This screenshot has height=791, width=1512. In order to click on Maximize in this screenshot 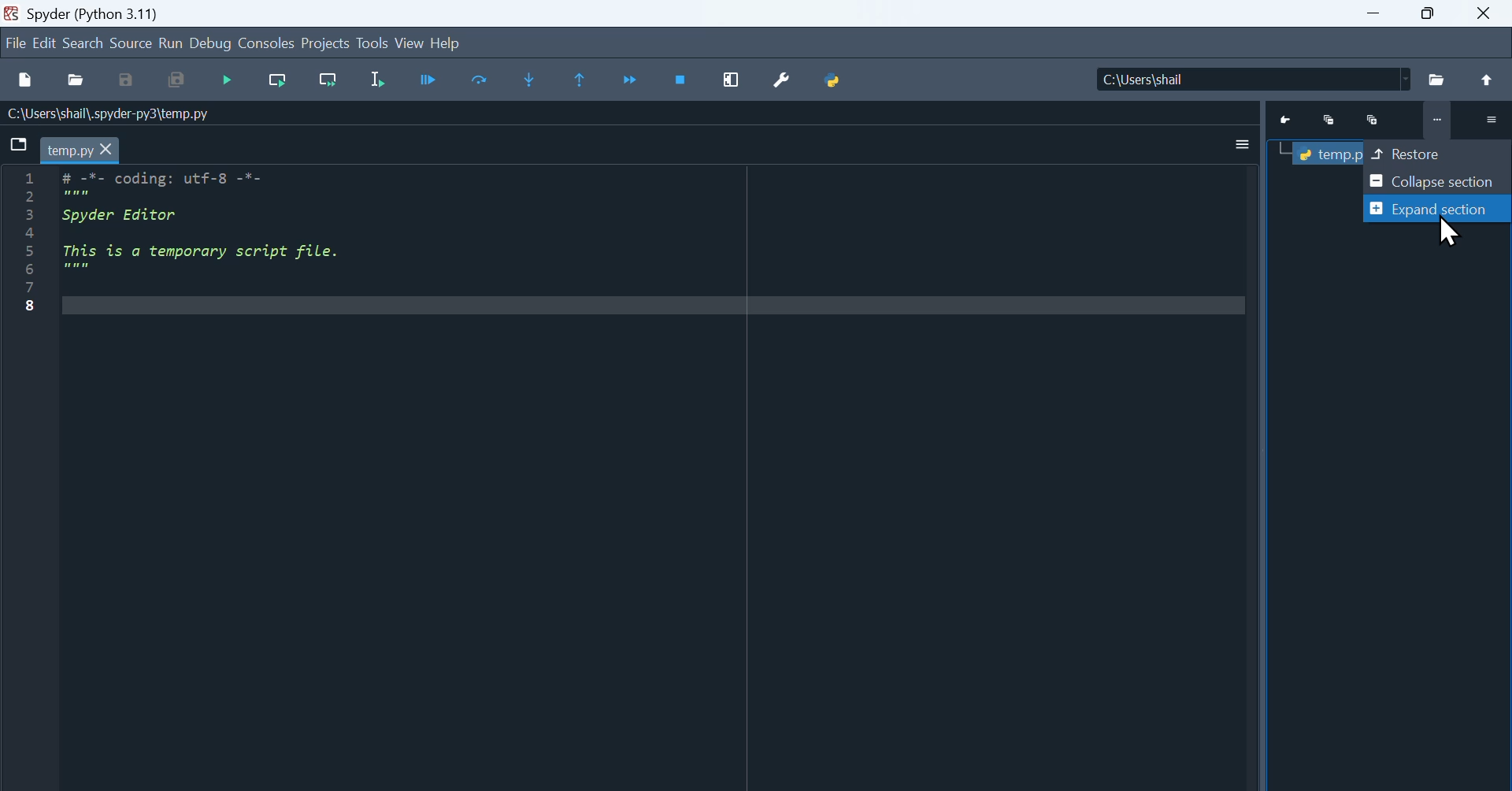, I will do `click(1429, 13)`.